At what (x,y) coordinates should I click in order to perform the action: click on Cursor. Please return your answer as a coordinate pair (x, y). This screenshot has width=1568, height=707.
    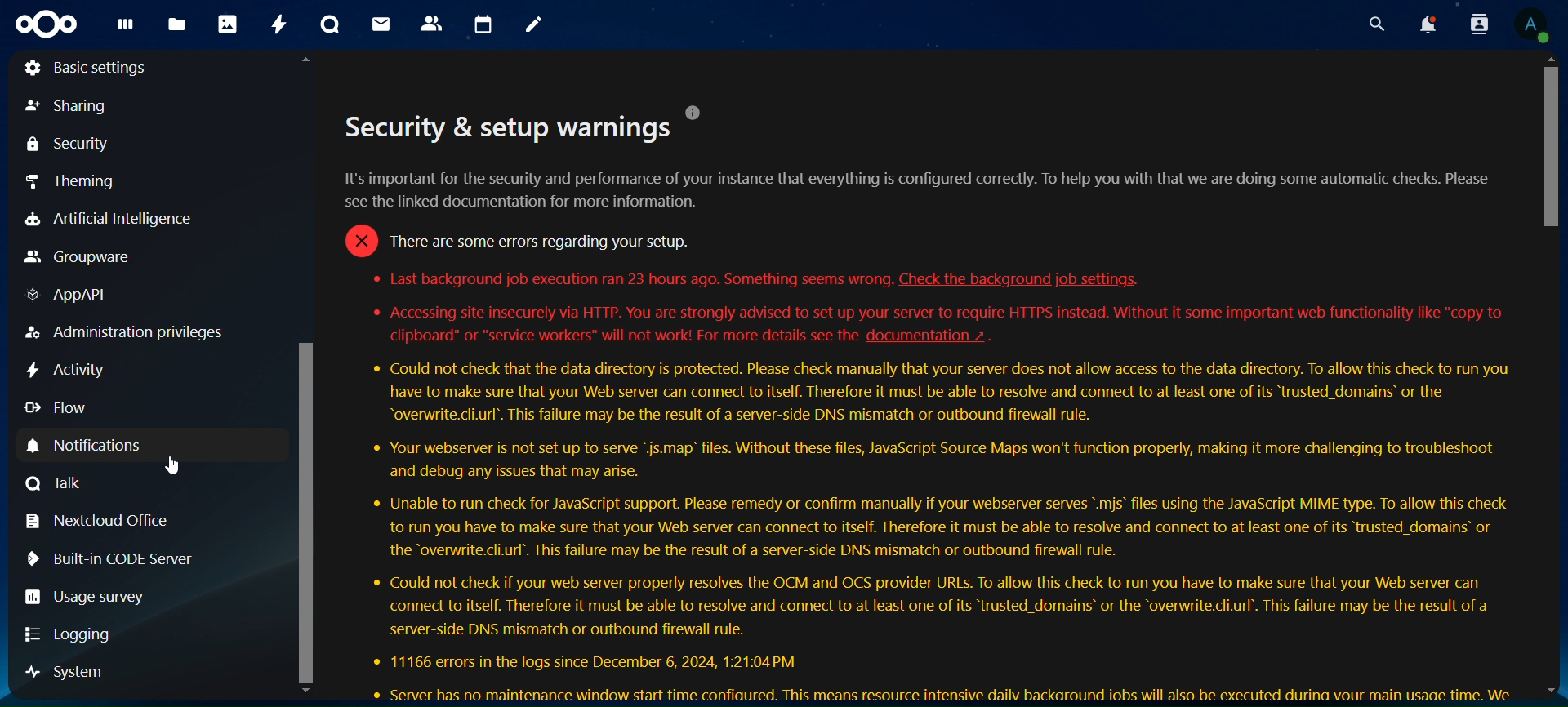
    Looking at the image, I should click on (171, 465).